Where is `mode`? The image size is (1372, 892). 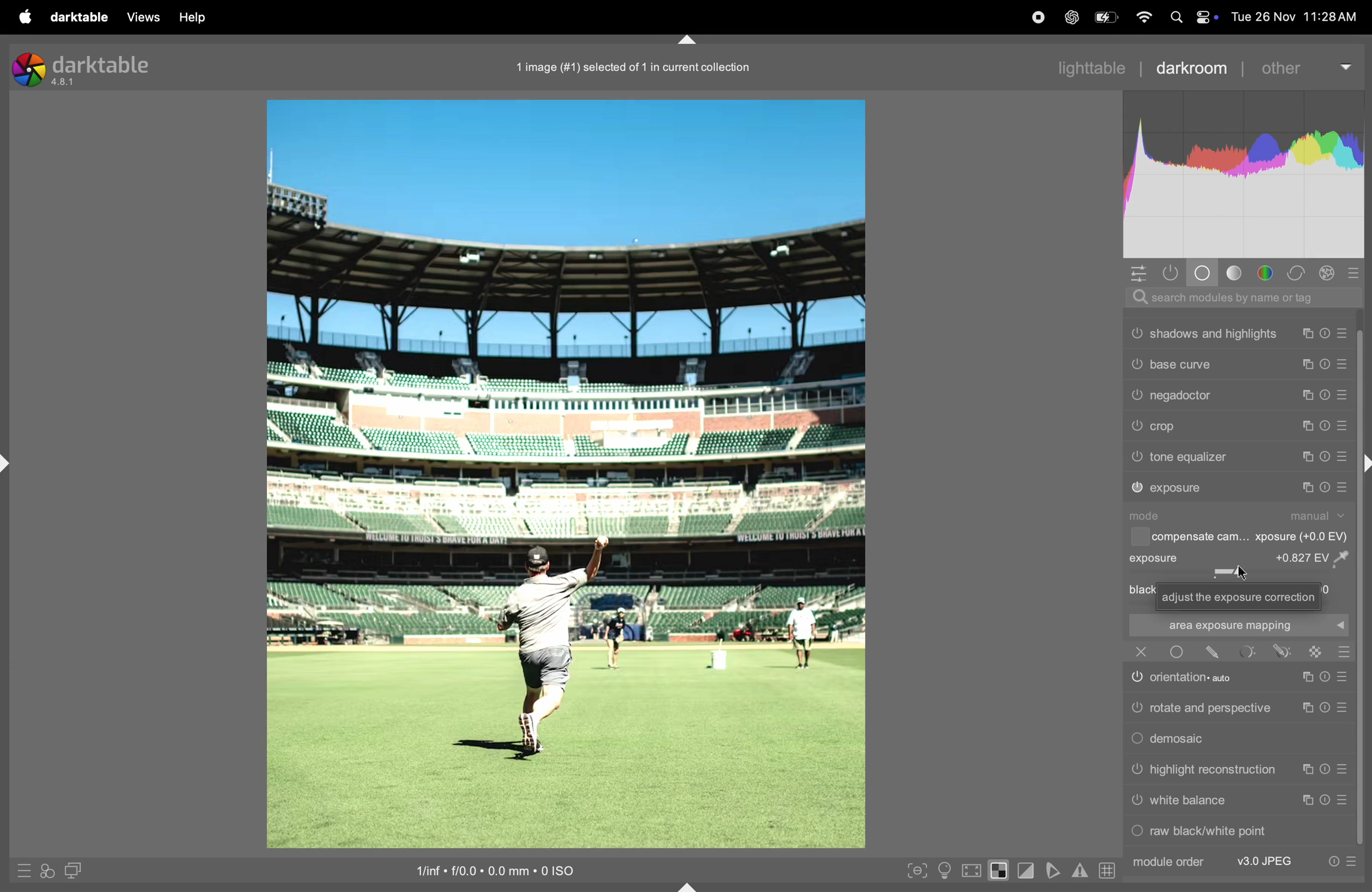 mode is located at coordinates (1149, 516).